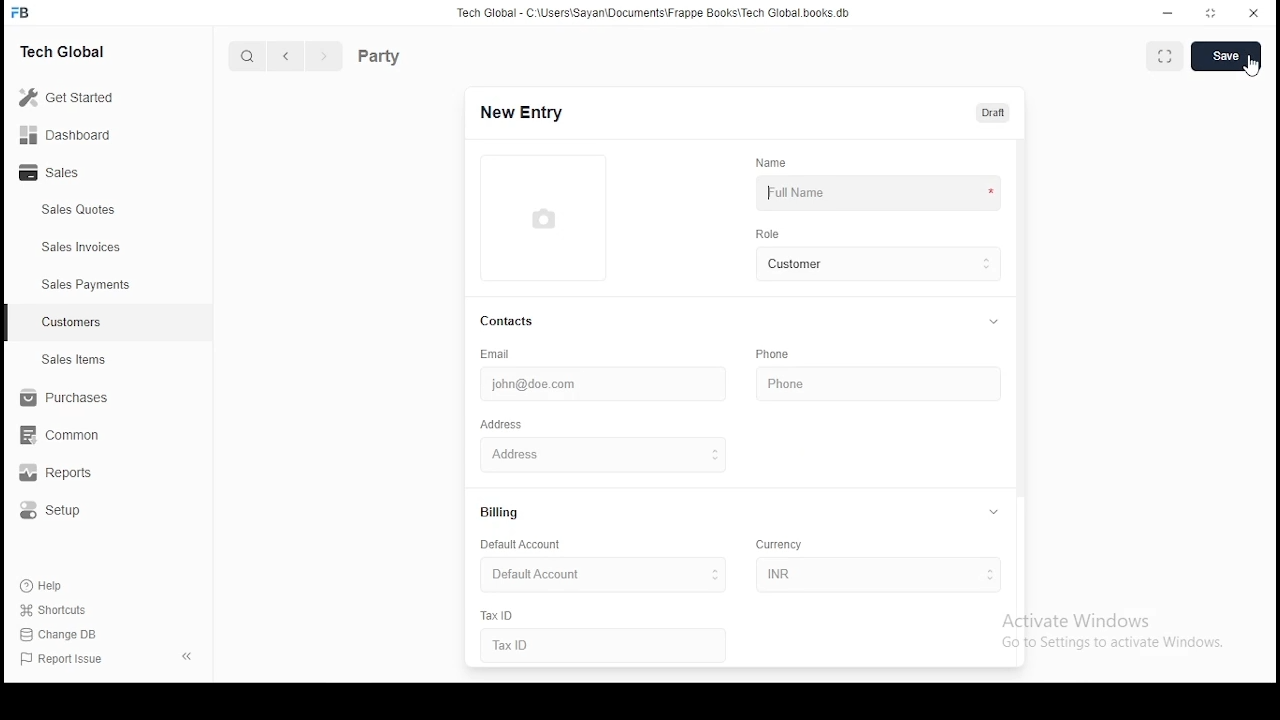 This screenshot has height=720, width=1280. What do you see at coordinates (43, 587) in the screenshot?
I see `Help` at bounding box center [43, 587].